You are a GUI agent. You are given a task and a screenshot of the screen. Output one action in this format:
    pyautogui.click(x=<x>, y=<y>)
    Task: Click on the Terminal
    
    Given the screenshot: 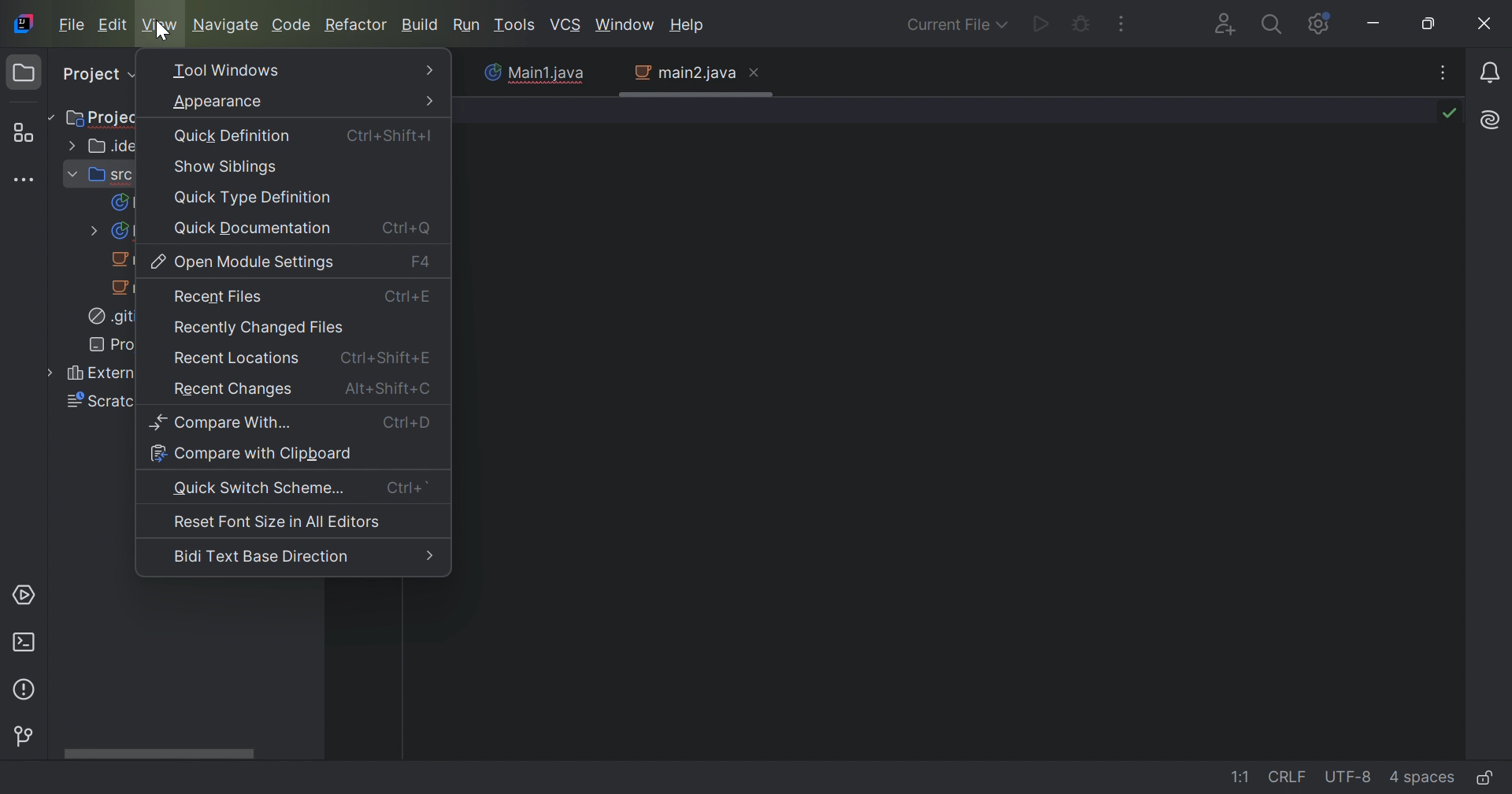 What is the action you would take?
    pyautogui.click(x=26, y=643)
    